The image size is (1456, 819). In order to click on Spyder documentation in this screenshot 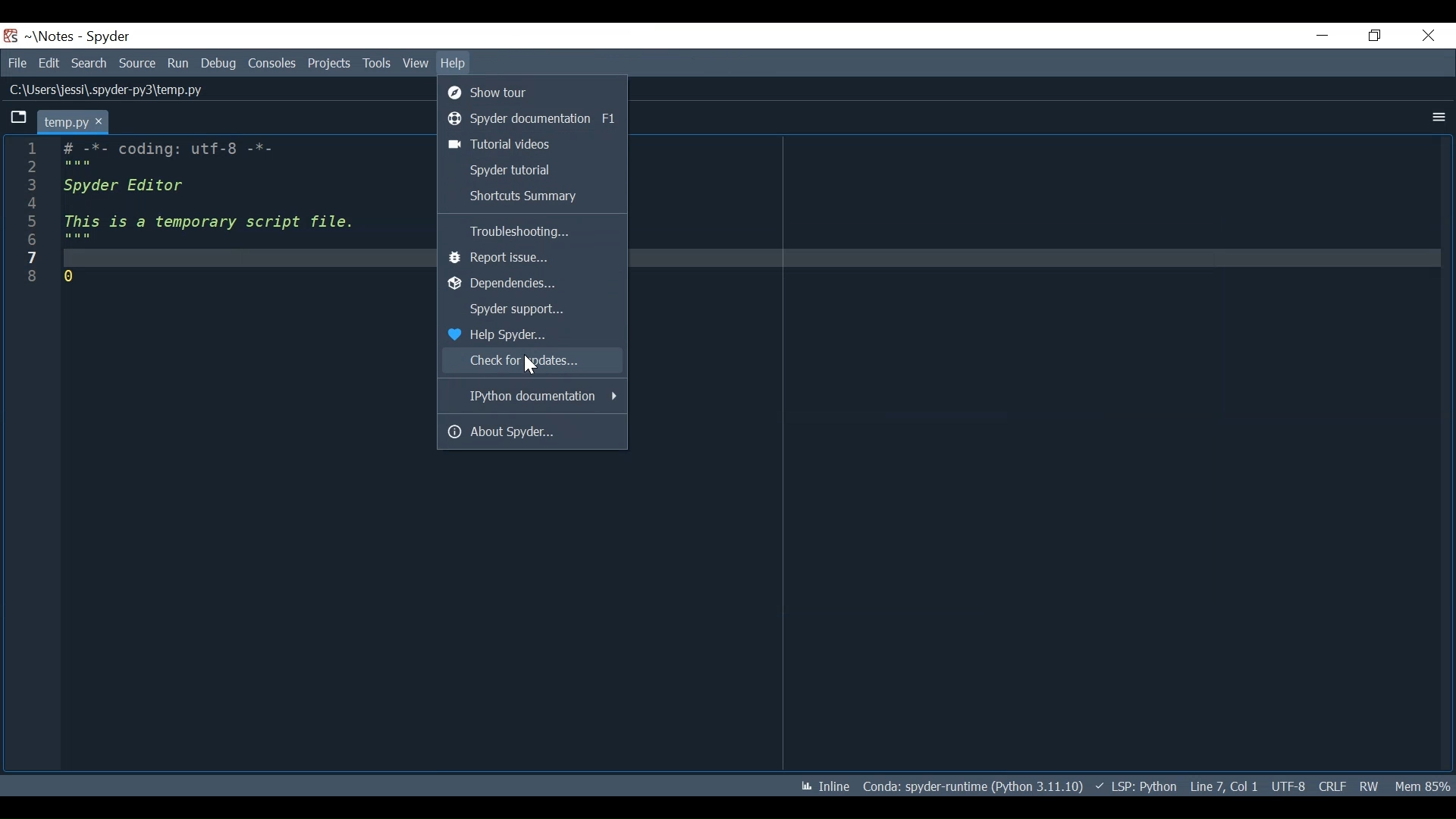, I will do `click(531, 118)`.